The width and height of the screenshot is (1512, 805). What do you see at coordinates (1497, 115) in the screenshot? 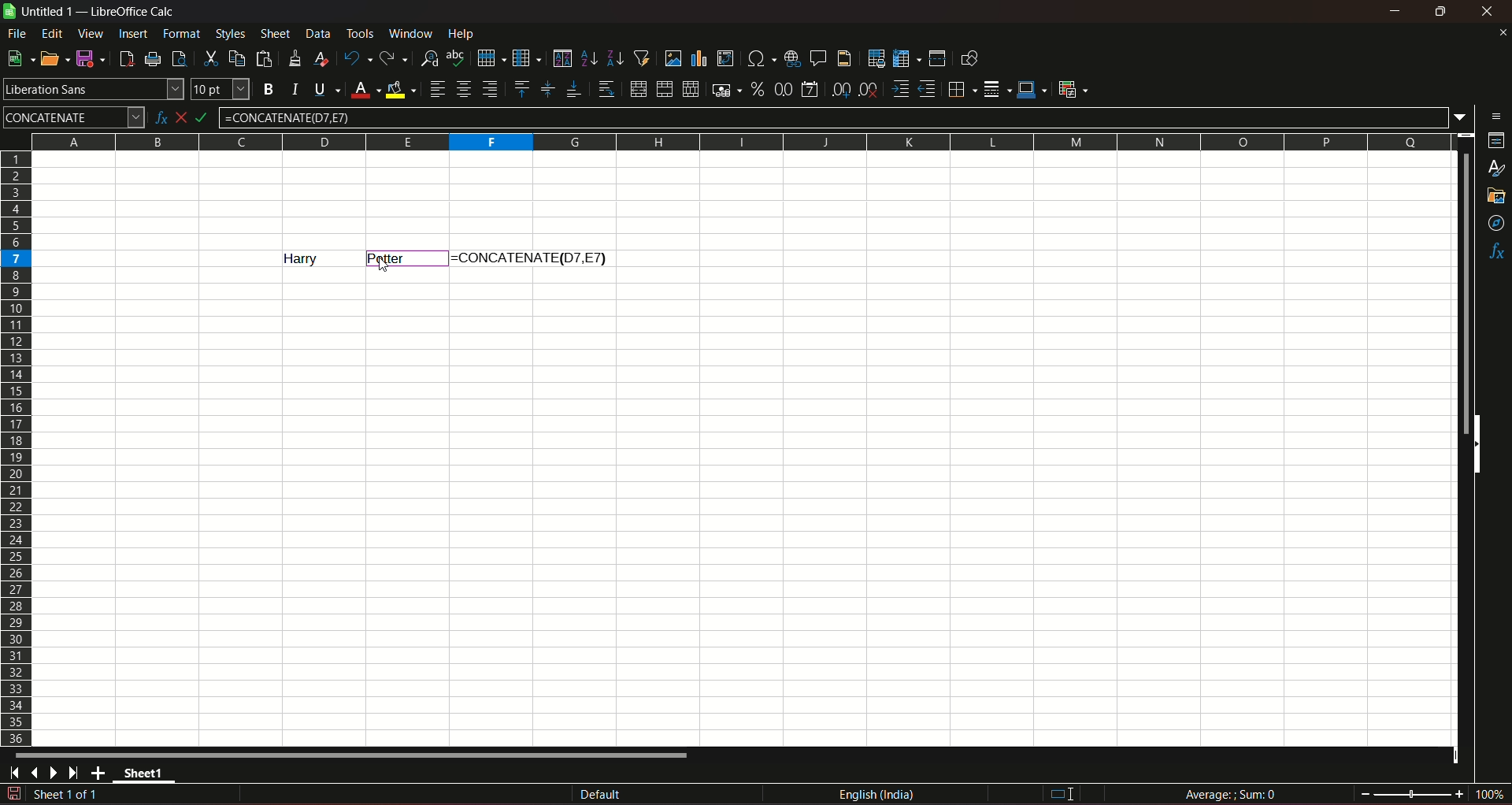
I see `sidebar settings` at bounding box center [1497, 115].